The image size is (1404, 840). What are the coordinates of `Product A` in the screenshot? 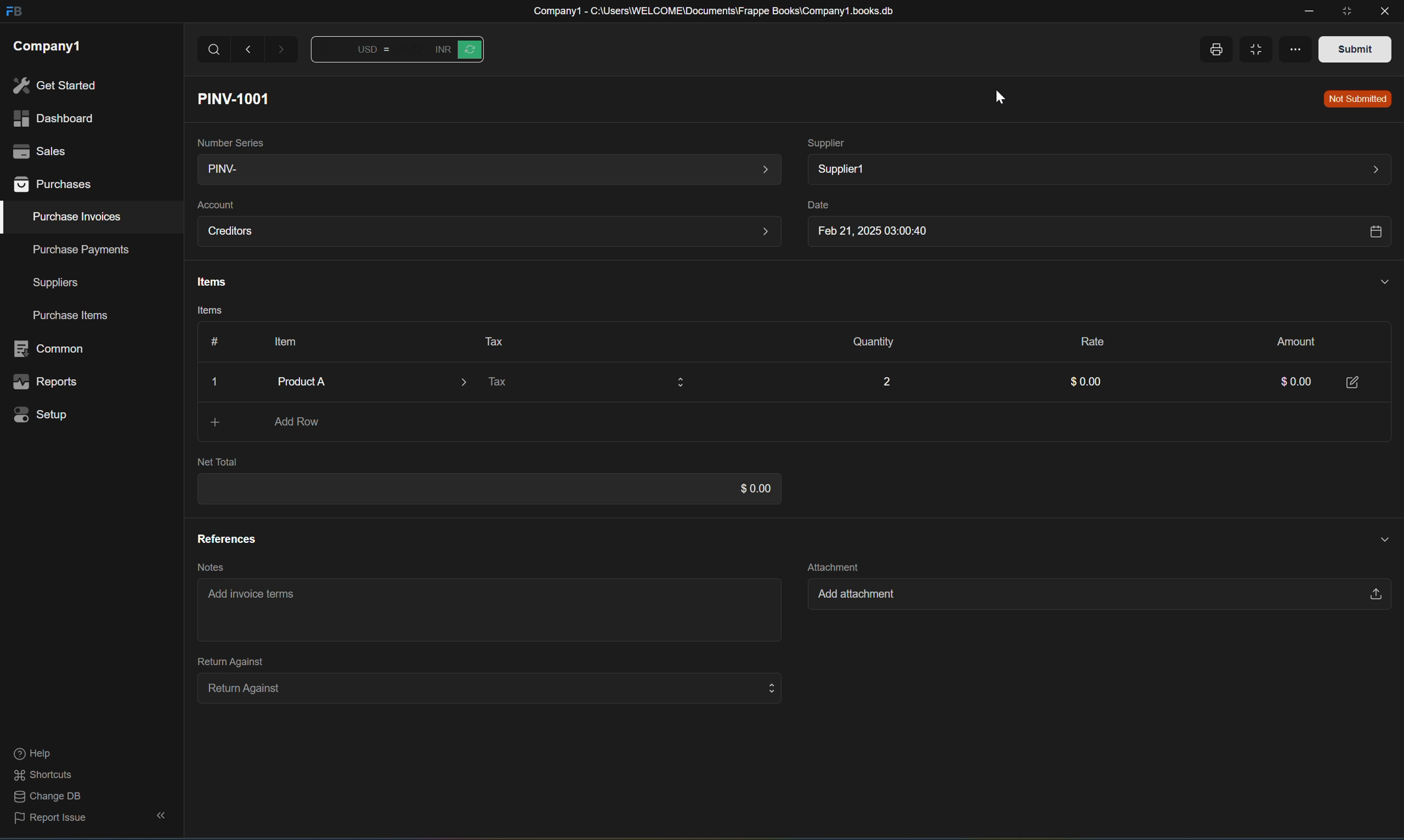 It's located at (360, 382).